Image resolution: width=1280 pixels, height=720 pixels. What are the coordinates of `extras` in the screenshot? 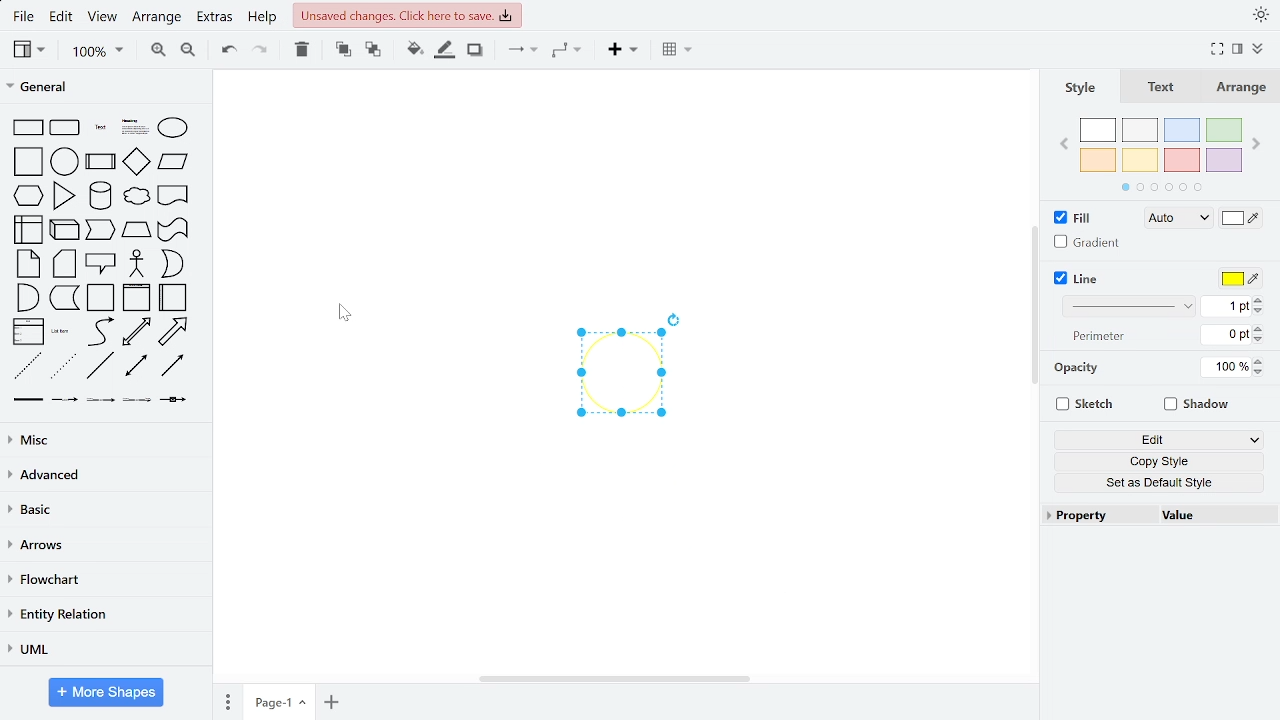 It's located at (215, 19).